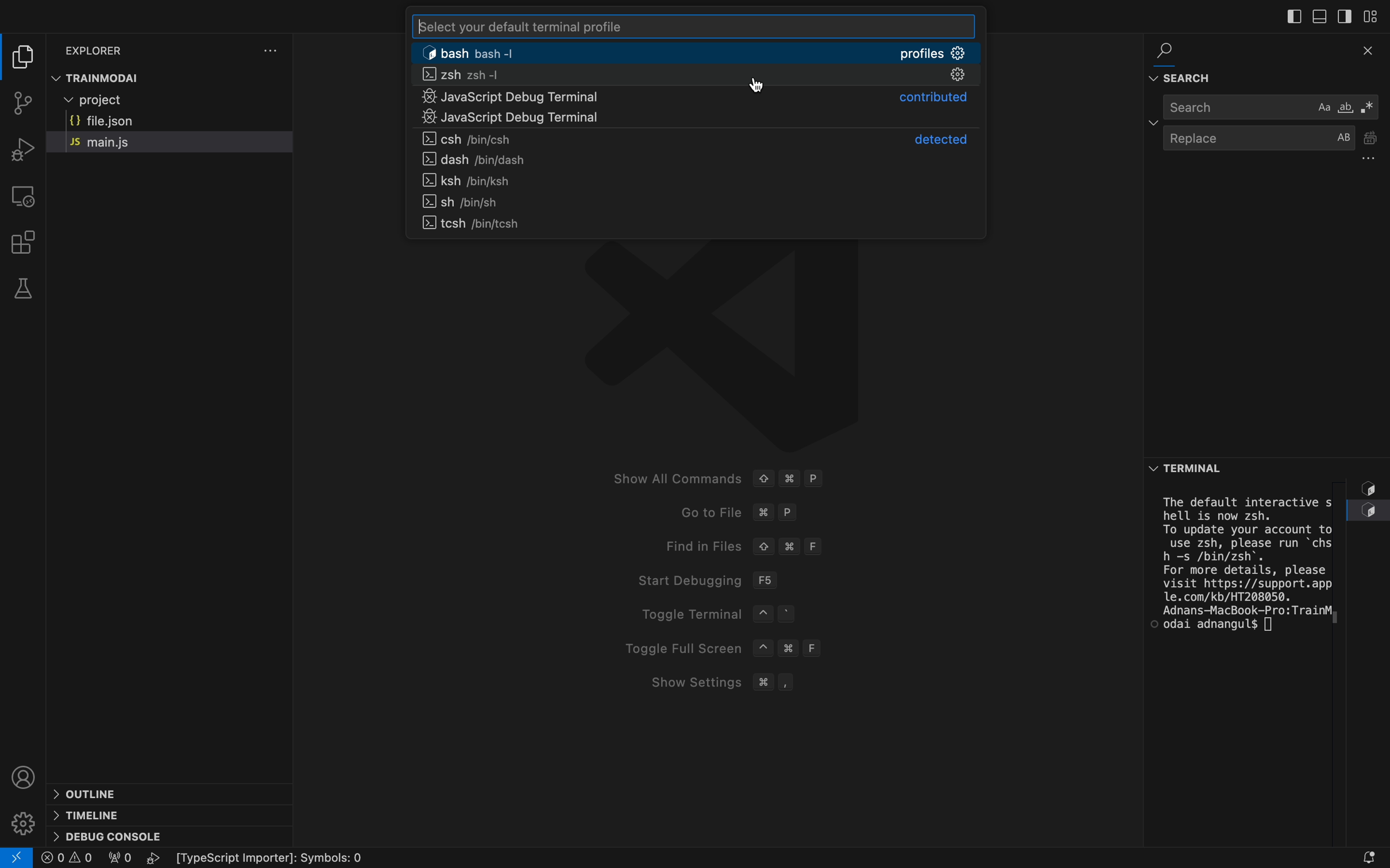 Image resolution: width=1390 pixels, height=868 pixels. I want to click on , so click(704, 201).